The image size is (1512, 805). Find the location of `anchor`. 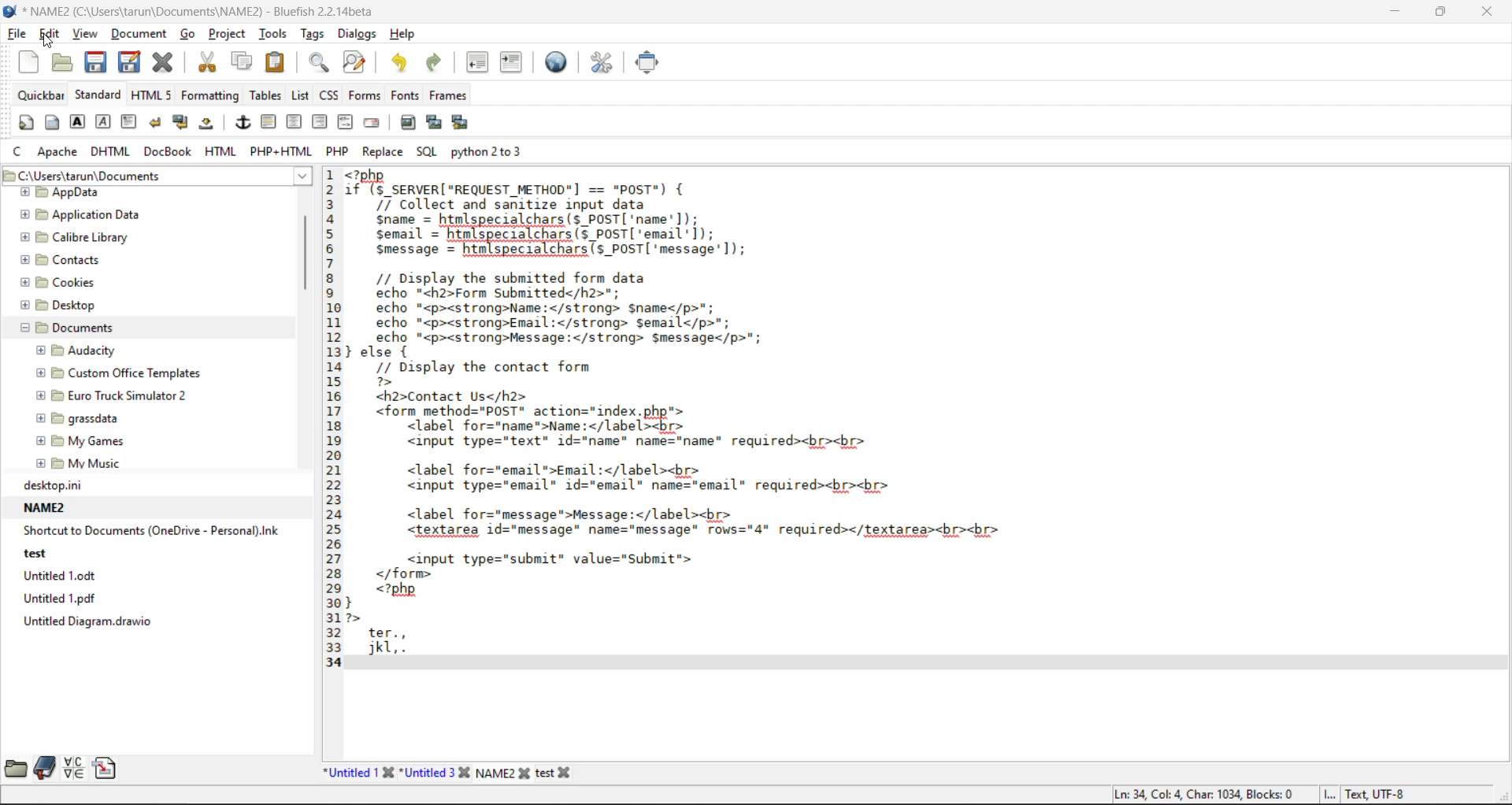

anchor is located at coordinates (243, 121).